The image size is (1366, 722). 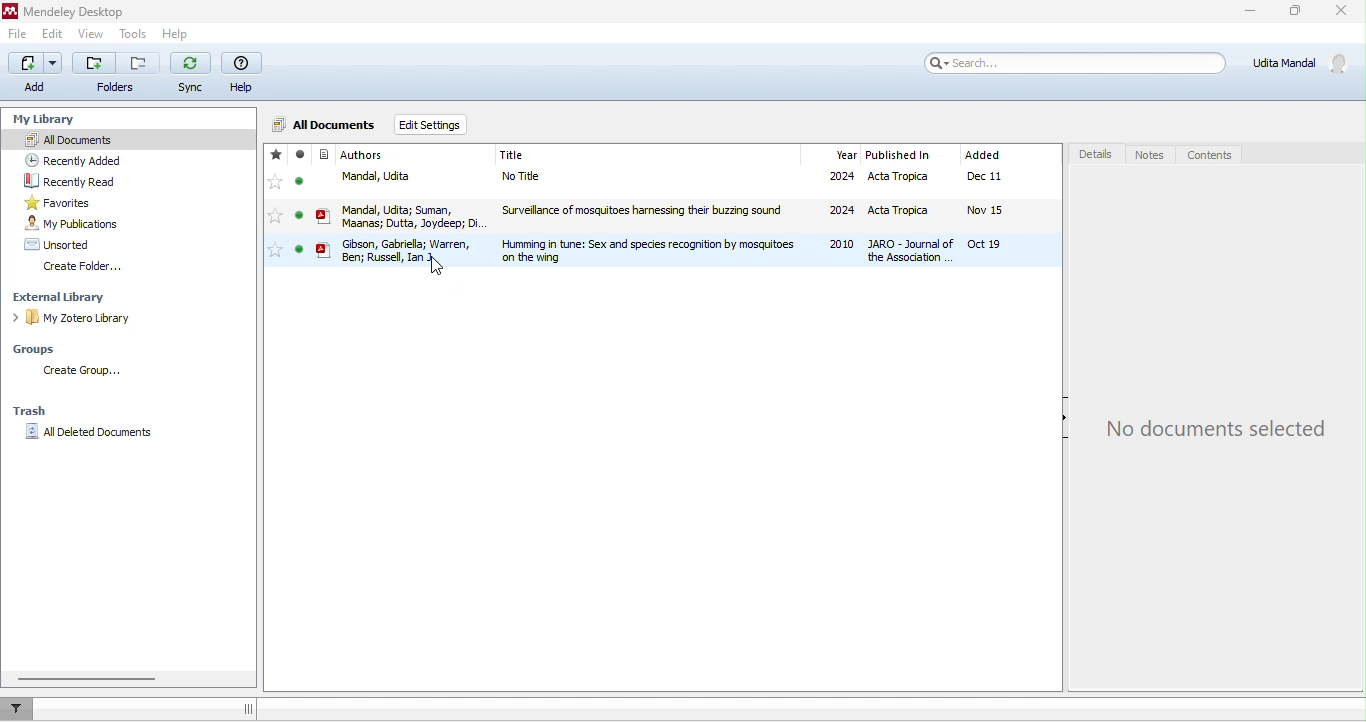 What do you see at coordinates (41, 349) in the screenshot?
I see `groups` at bounding box center [41, 349].